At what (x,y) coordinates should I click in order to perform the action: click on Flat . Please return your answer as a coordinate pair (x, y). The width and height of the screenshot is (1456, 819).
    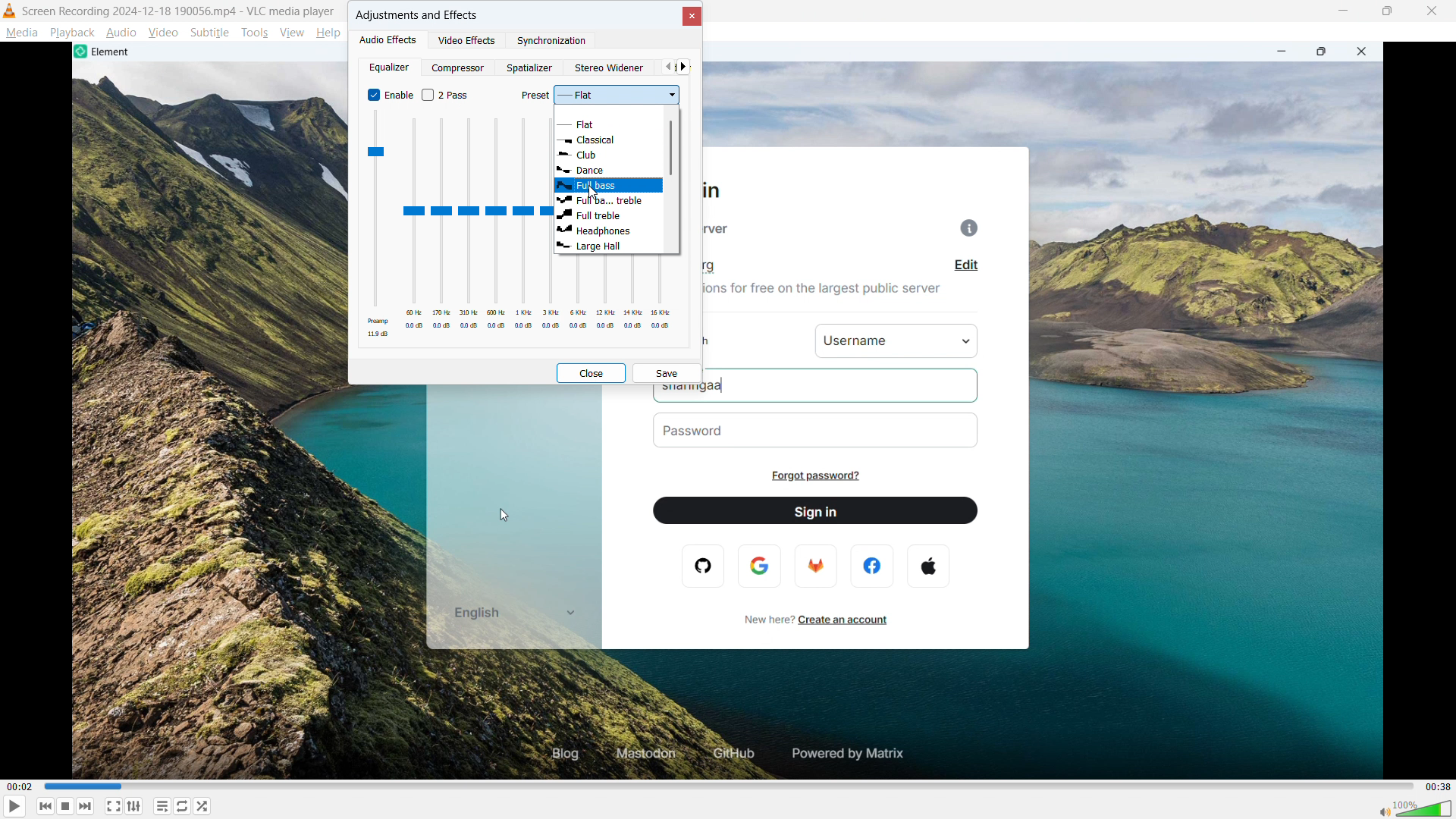
    Looking at the image, I should click on (610, 122).